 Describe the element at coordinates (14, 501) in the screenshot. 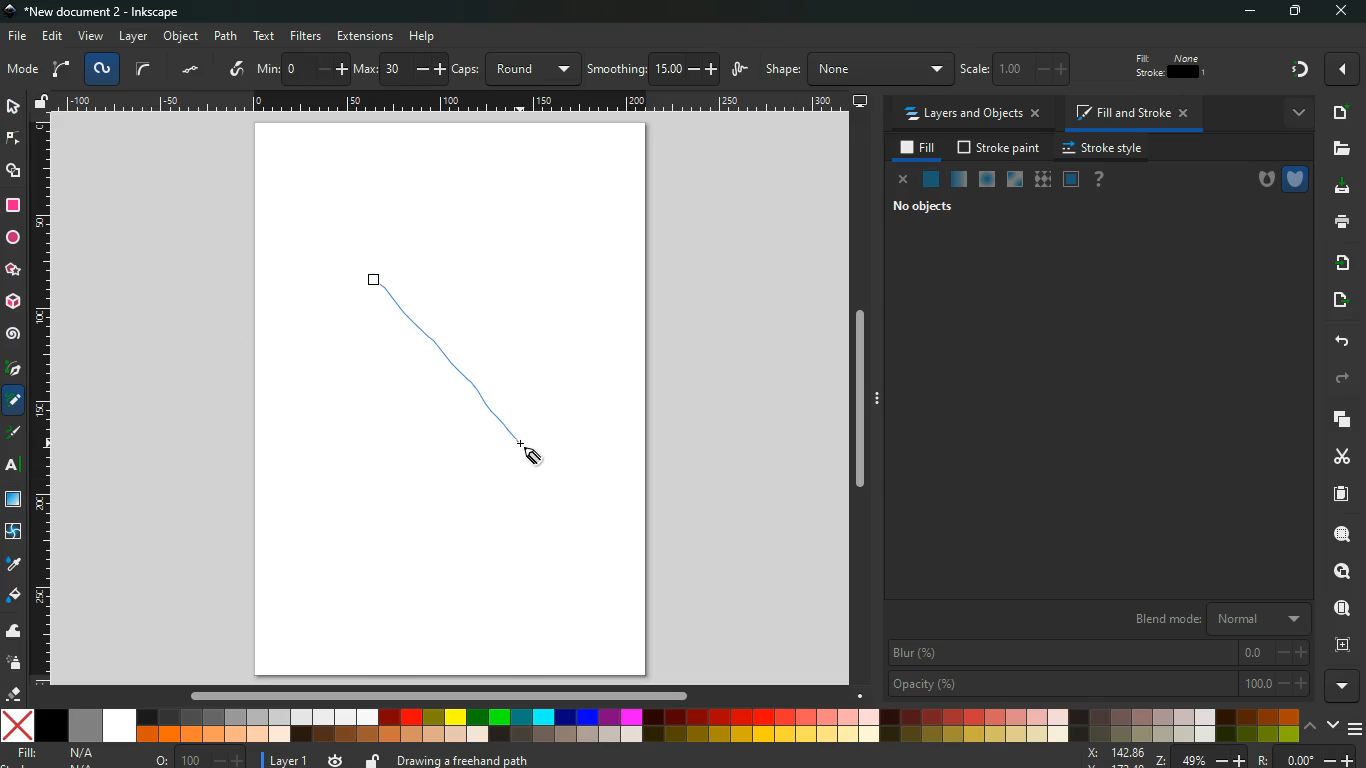

I see `window` at that location.